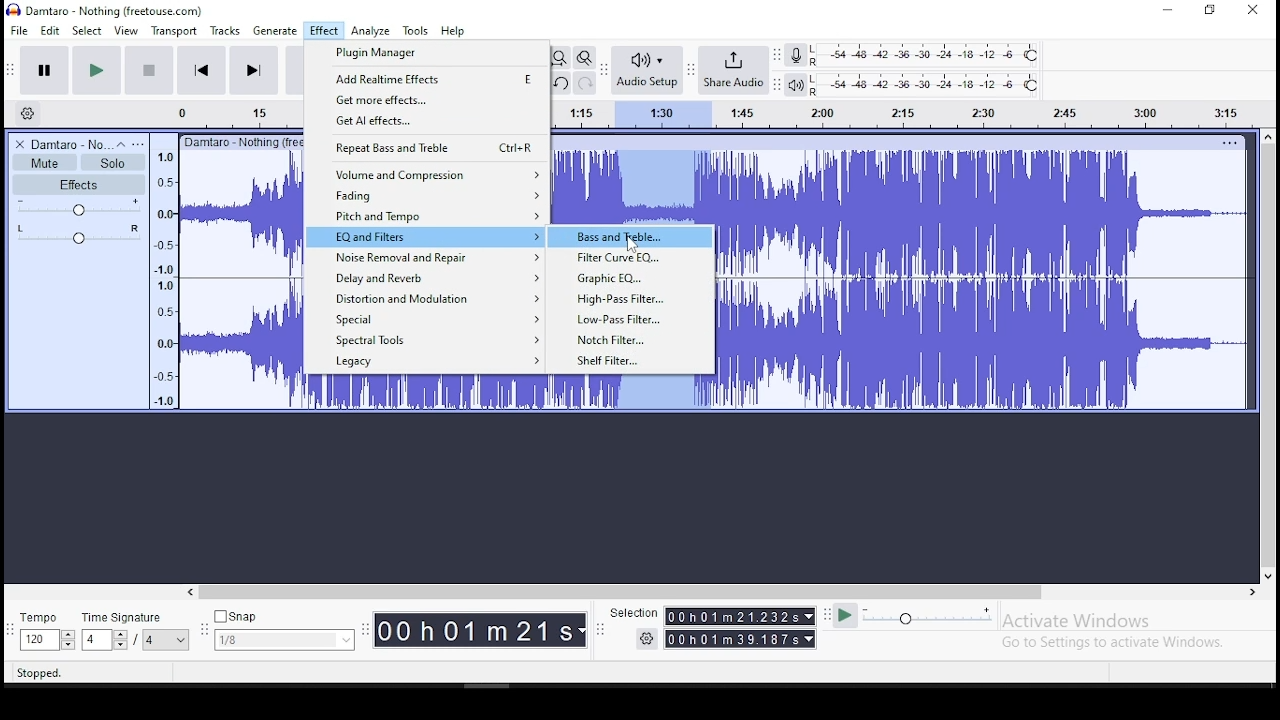 The image size is (1280, 720). I want to click on , so click(1229, 142).